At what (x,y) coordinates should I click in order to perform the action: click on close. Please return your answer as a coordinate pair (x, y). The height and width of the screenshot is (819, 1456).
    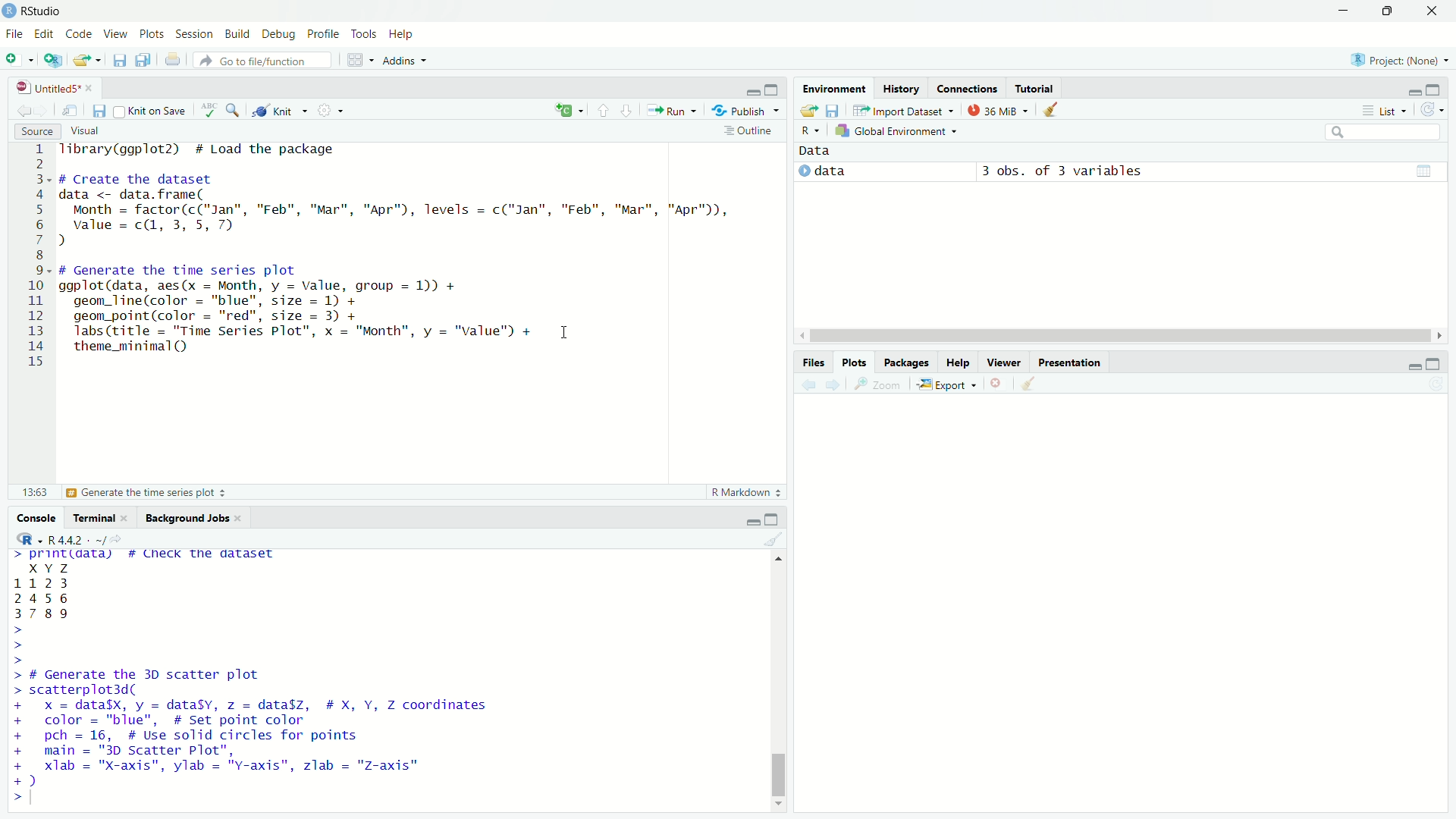
    Looking at the image, I should click on (1432, 11).